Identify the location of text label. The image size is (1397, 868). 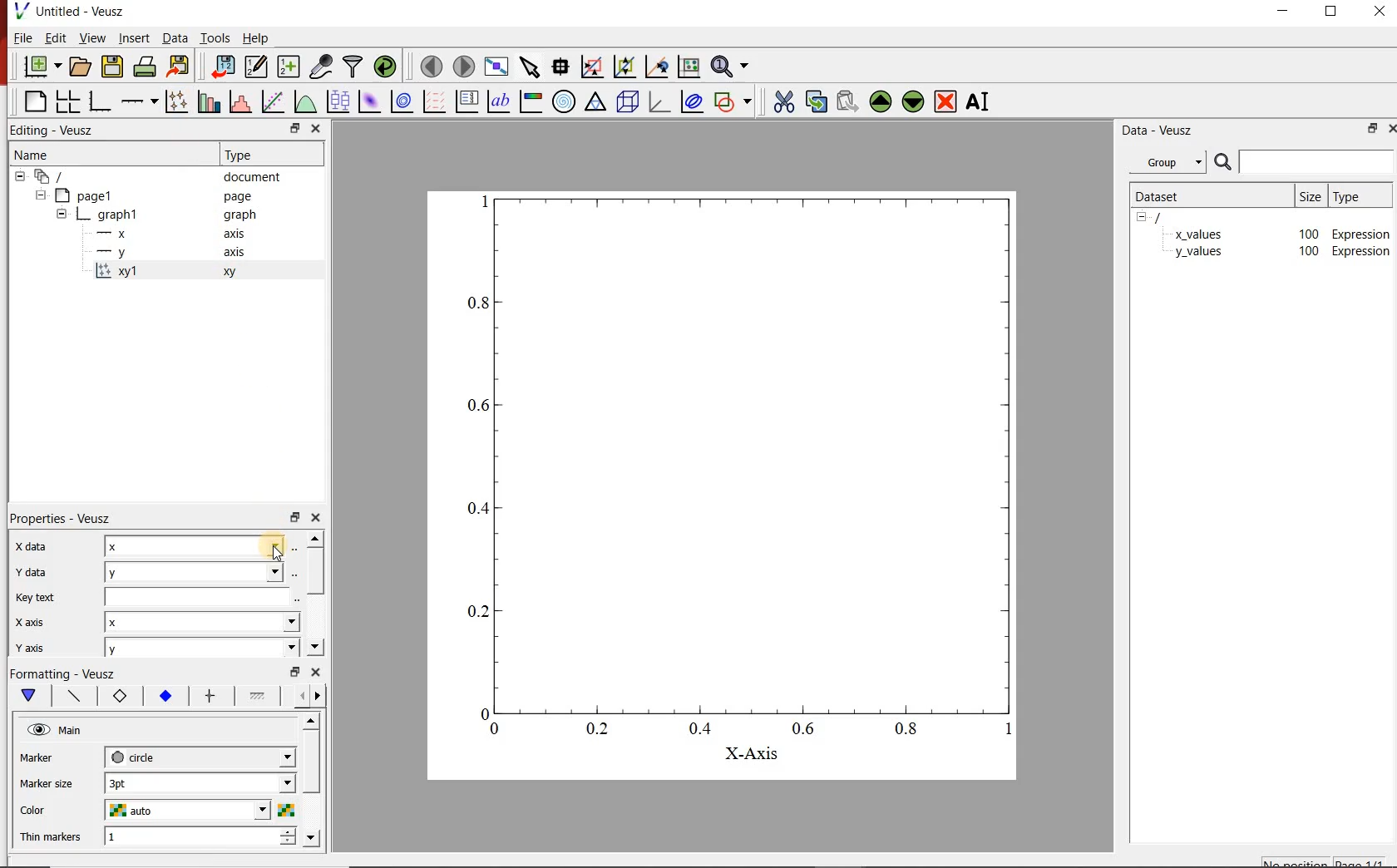
(496, 101).